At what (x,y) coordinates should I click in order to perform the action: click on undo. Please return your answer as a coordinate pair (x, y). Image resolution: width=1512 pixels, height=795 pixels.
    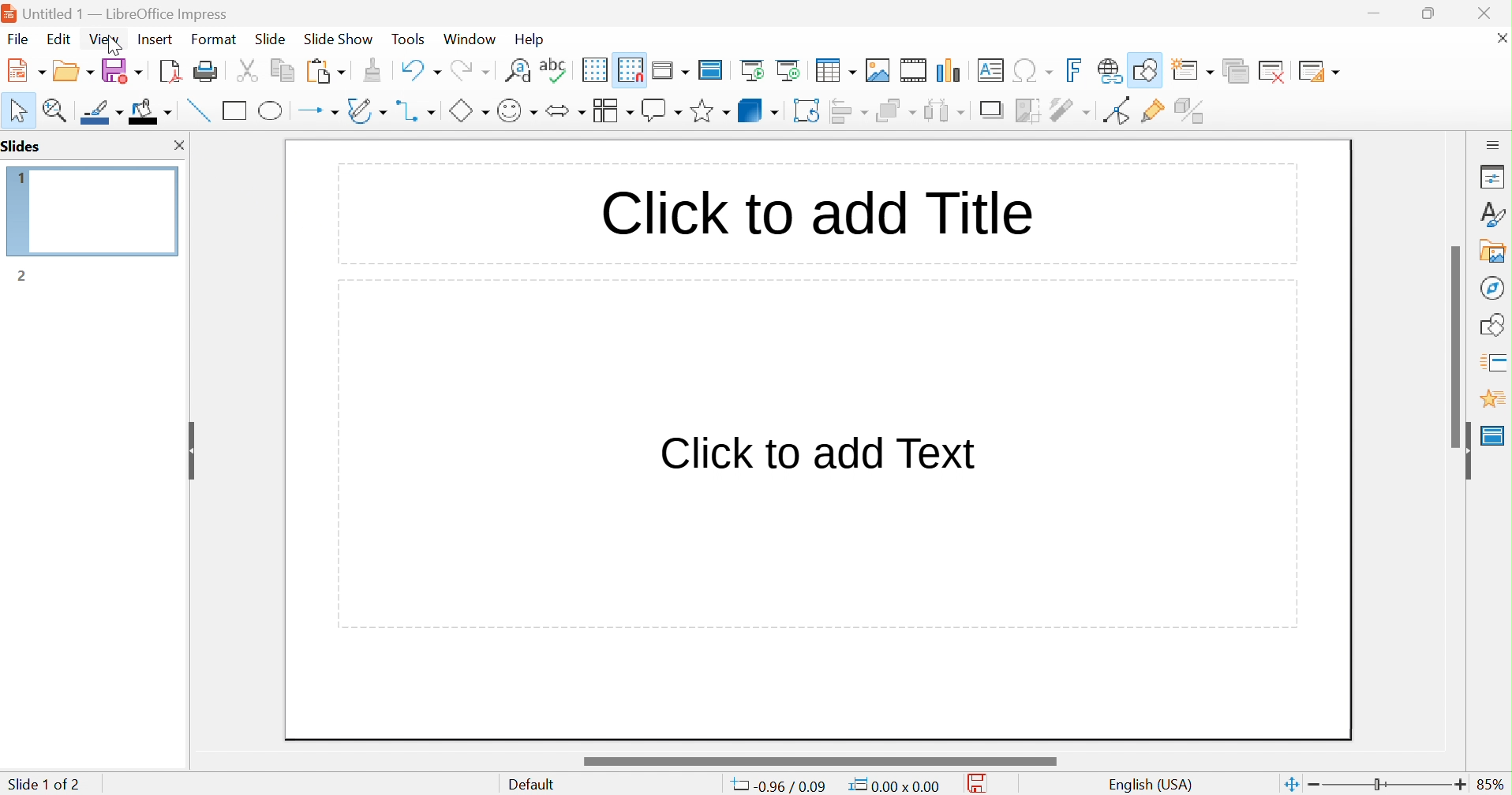
    Looking at the image, I should click on (419, 68).